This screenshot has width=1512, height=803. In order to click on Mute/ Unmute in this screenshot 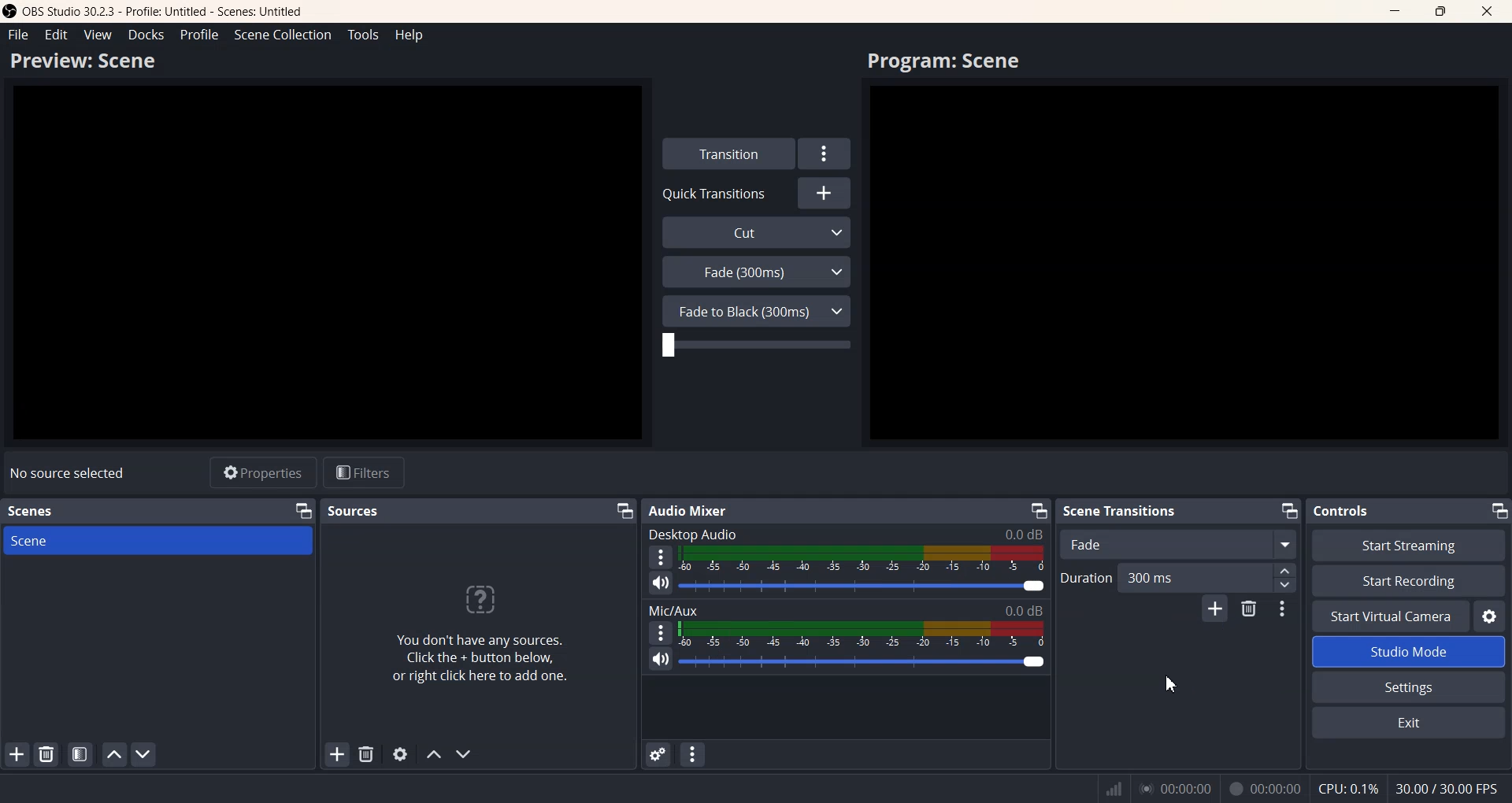, I will do `click(659, 659)`.